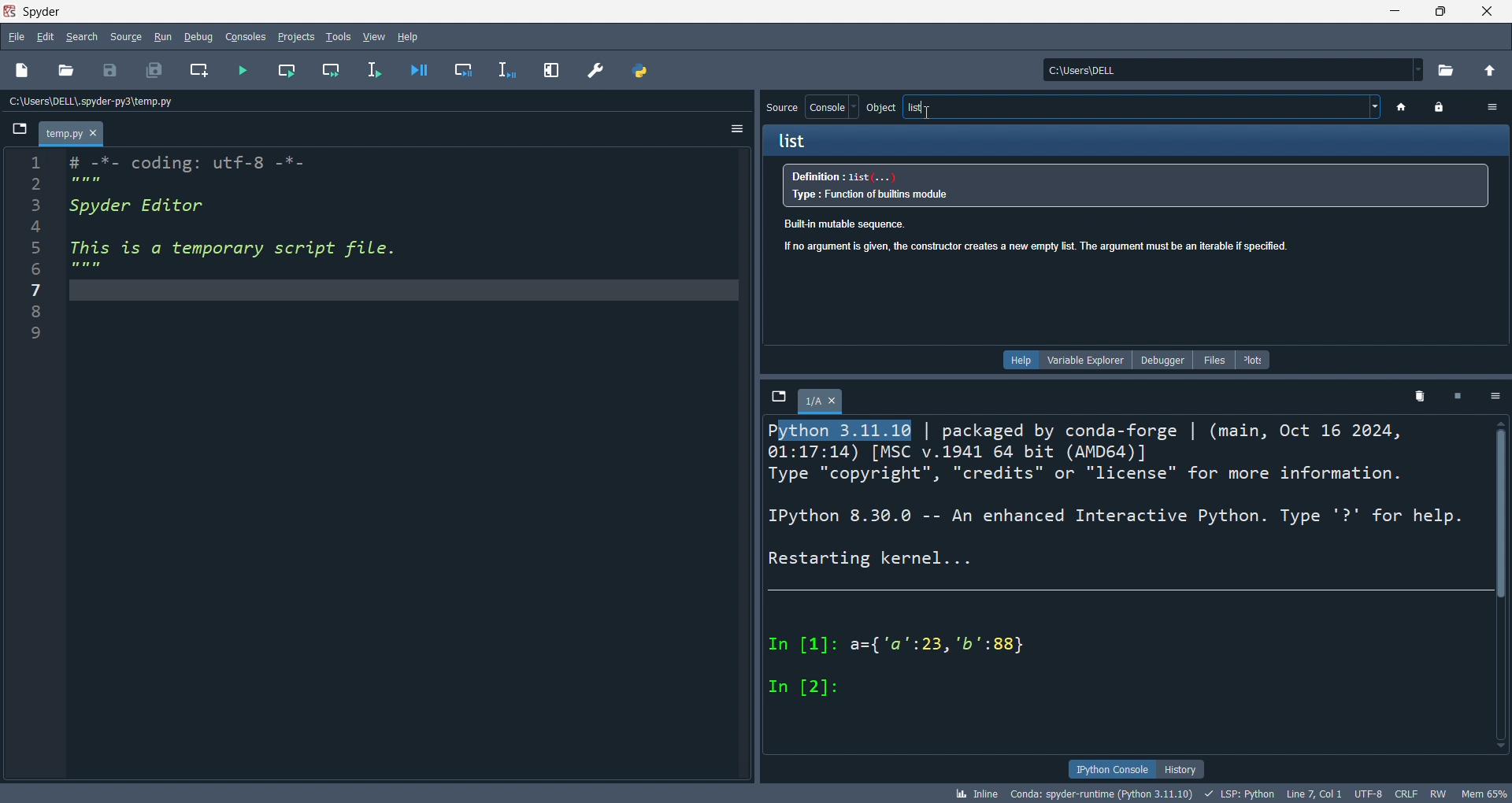 Image resolution: width=1512 pixels, height=803 pixels. I want to click on plots, so click(1251, 359).